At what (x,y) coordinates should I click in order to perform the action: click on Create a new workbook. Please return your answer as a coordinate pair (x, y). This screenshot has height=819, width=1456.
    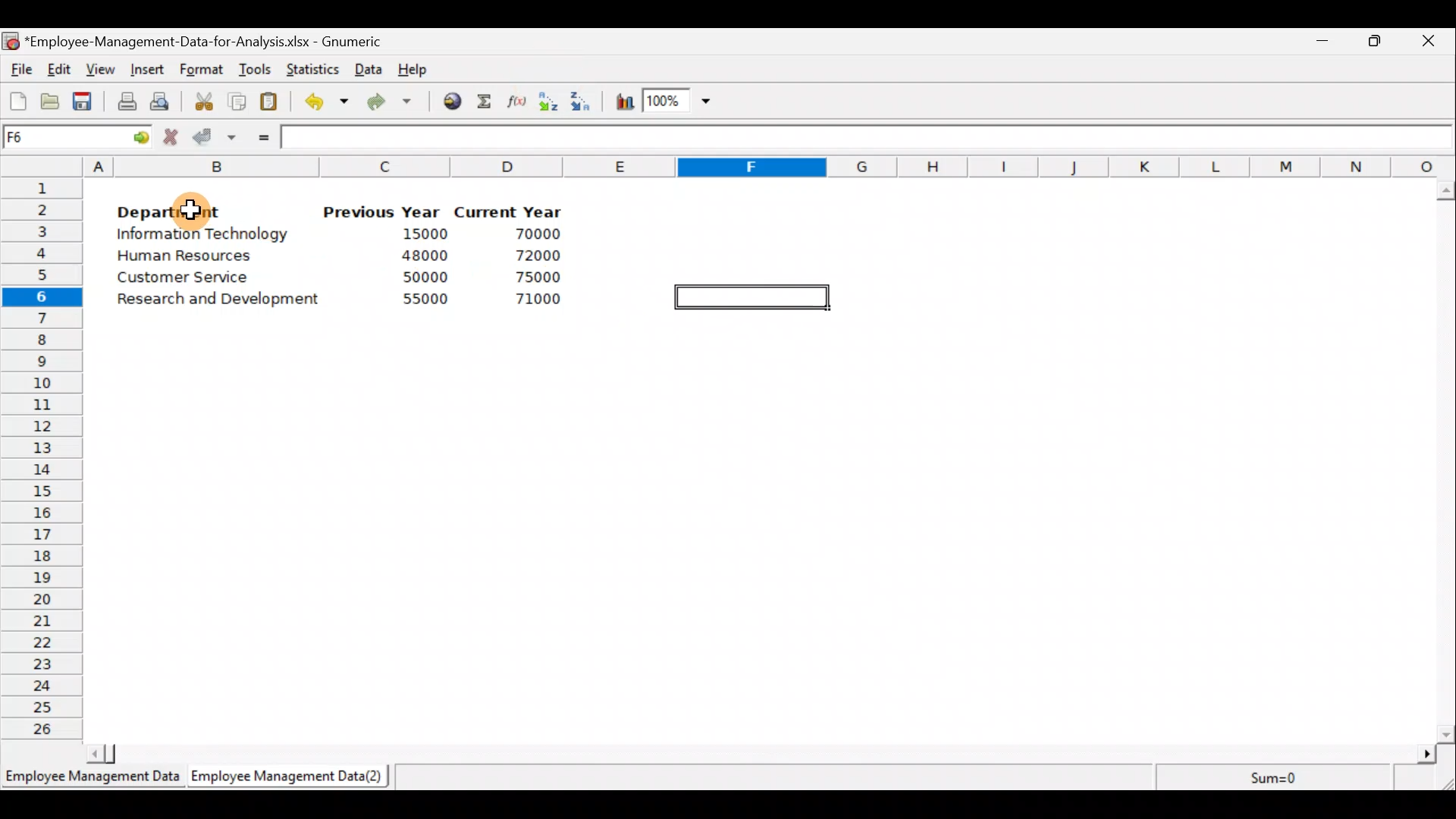
    Looking at the image, I should click on (18, 101).